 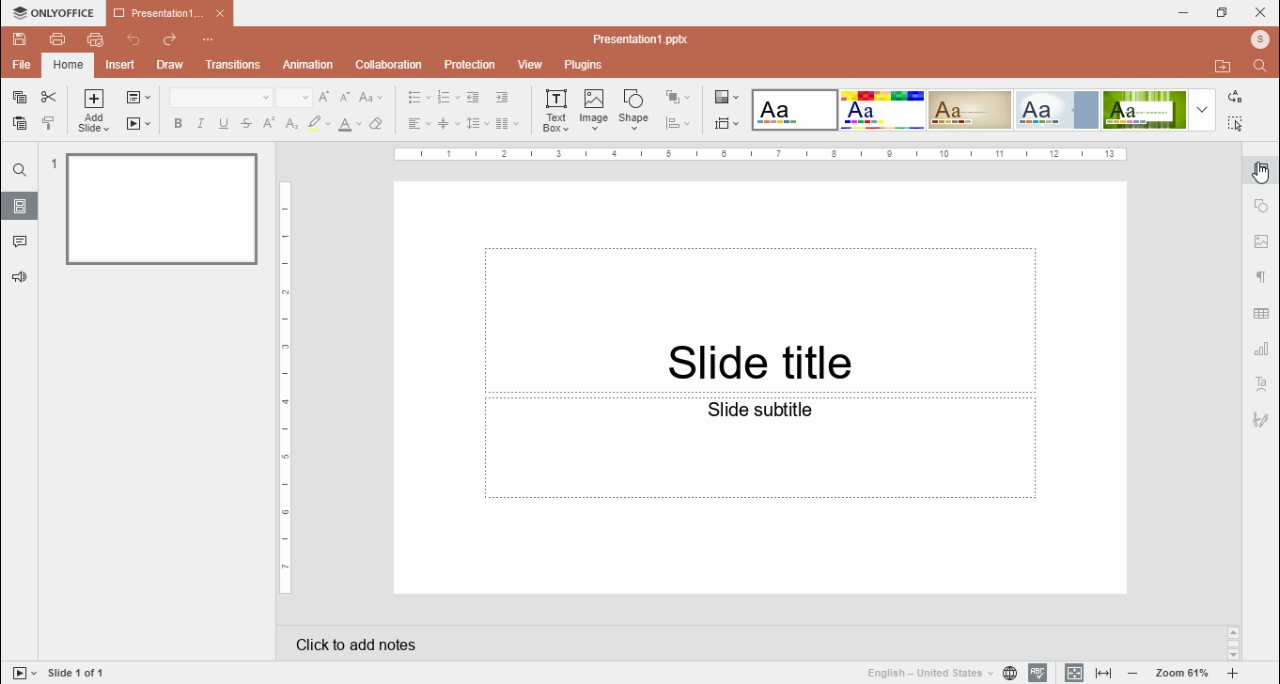 I want to click on table settings, so click(x=1262, y=316).